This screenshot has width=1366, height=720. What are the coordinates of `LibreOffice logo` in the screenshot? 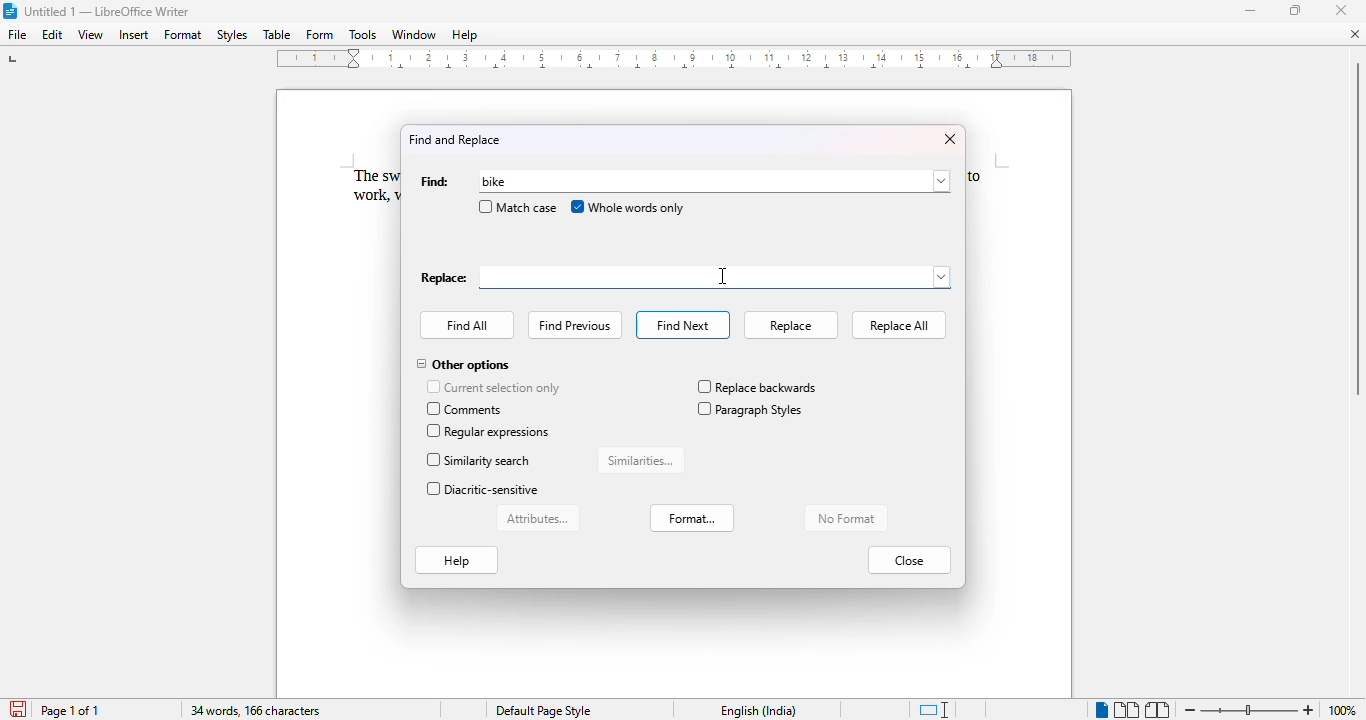 It's located at (9, 10).